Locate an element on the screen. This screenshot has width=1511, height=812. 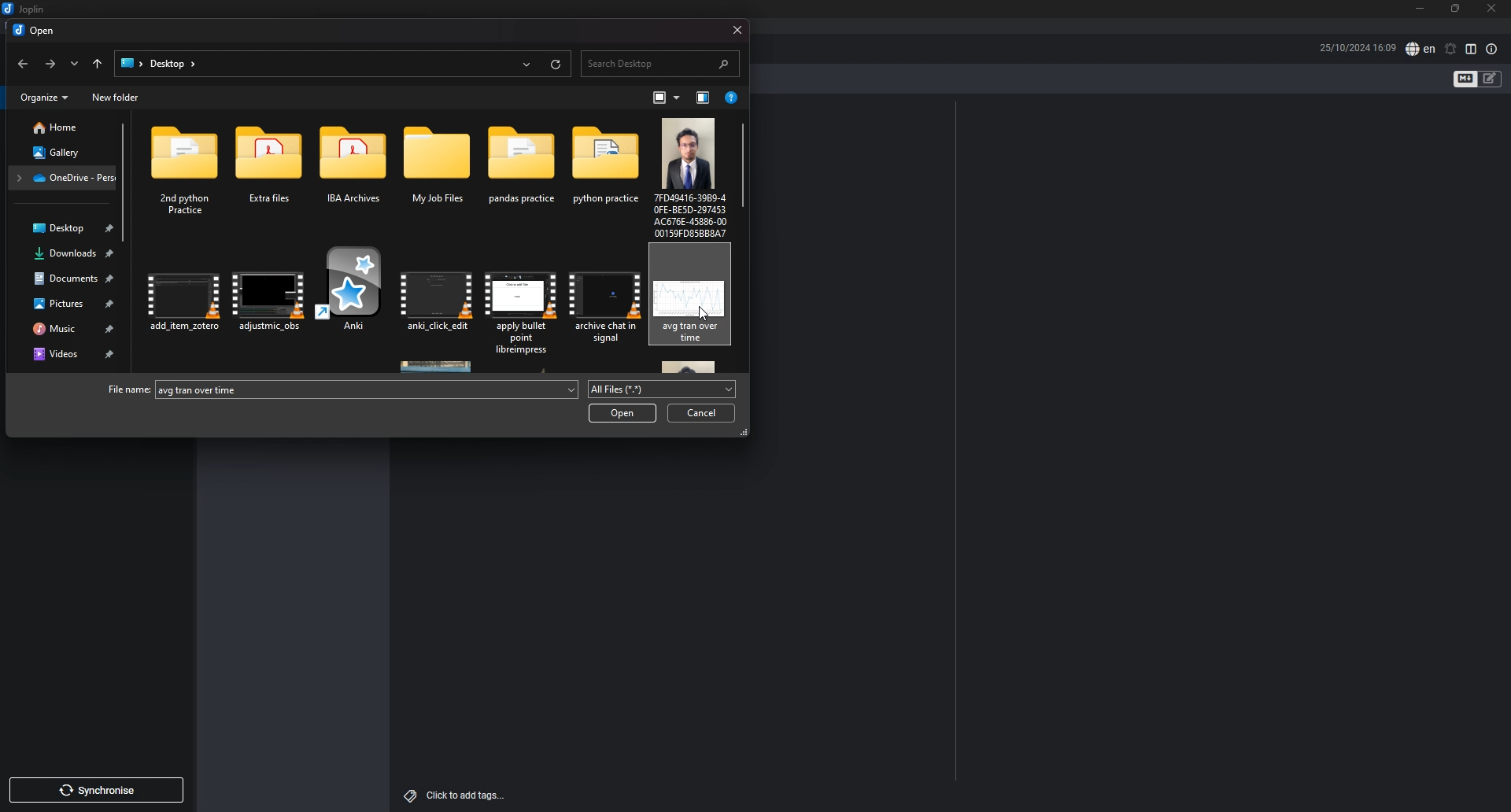
recent is located at coordinates (525, 63).